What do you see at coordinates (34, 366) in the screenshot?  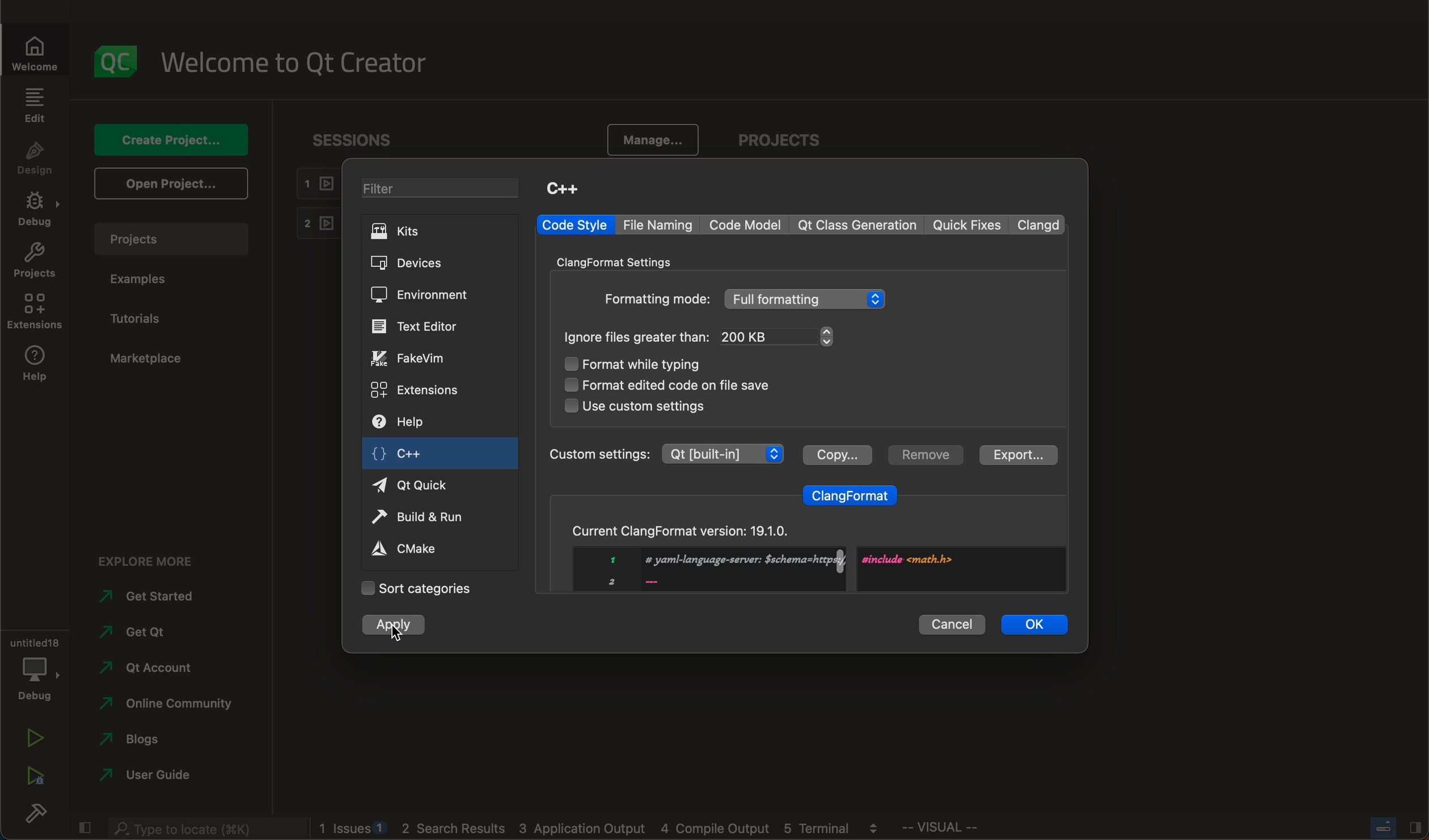 I see `help` at bounding box center [34, 366].